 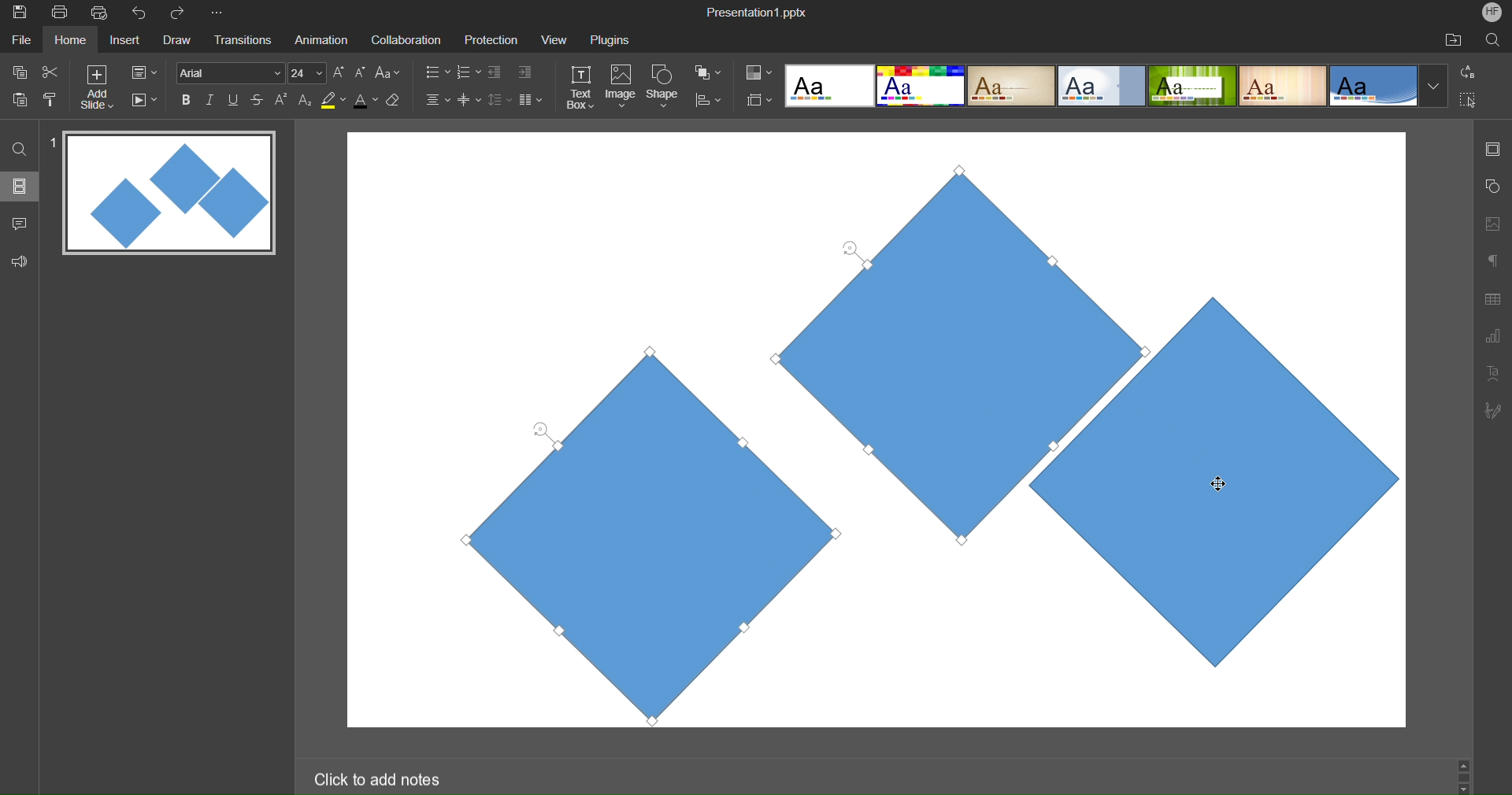 I want to click on Bold, so click(x=187, y=99).